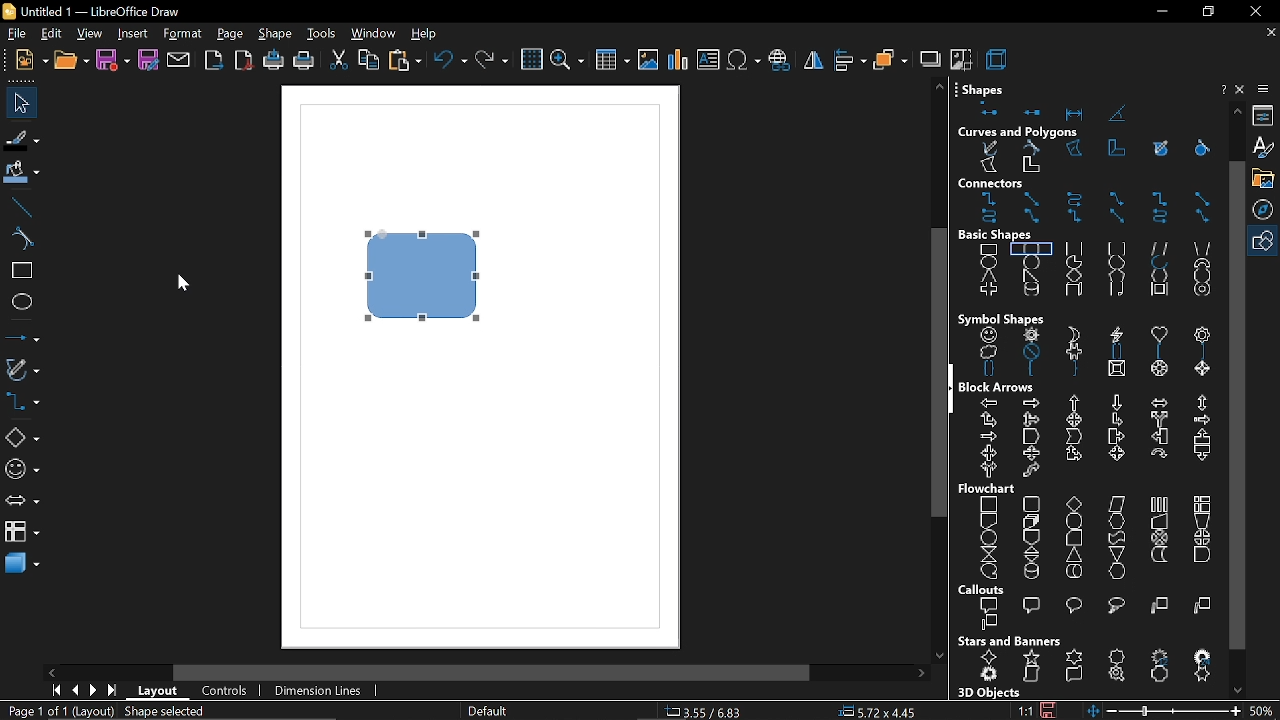  I want to click on controls, so click(224, 692).